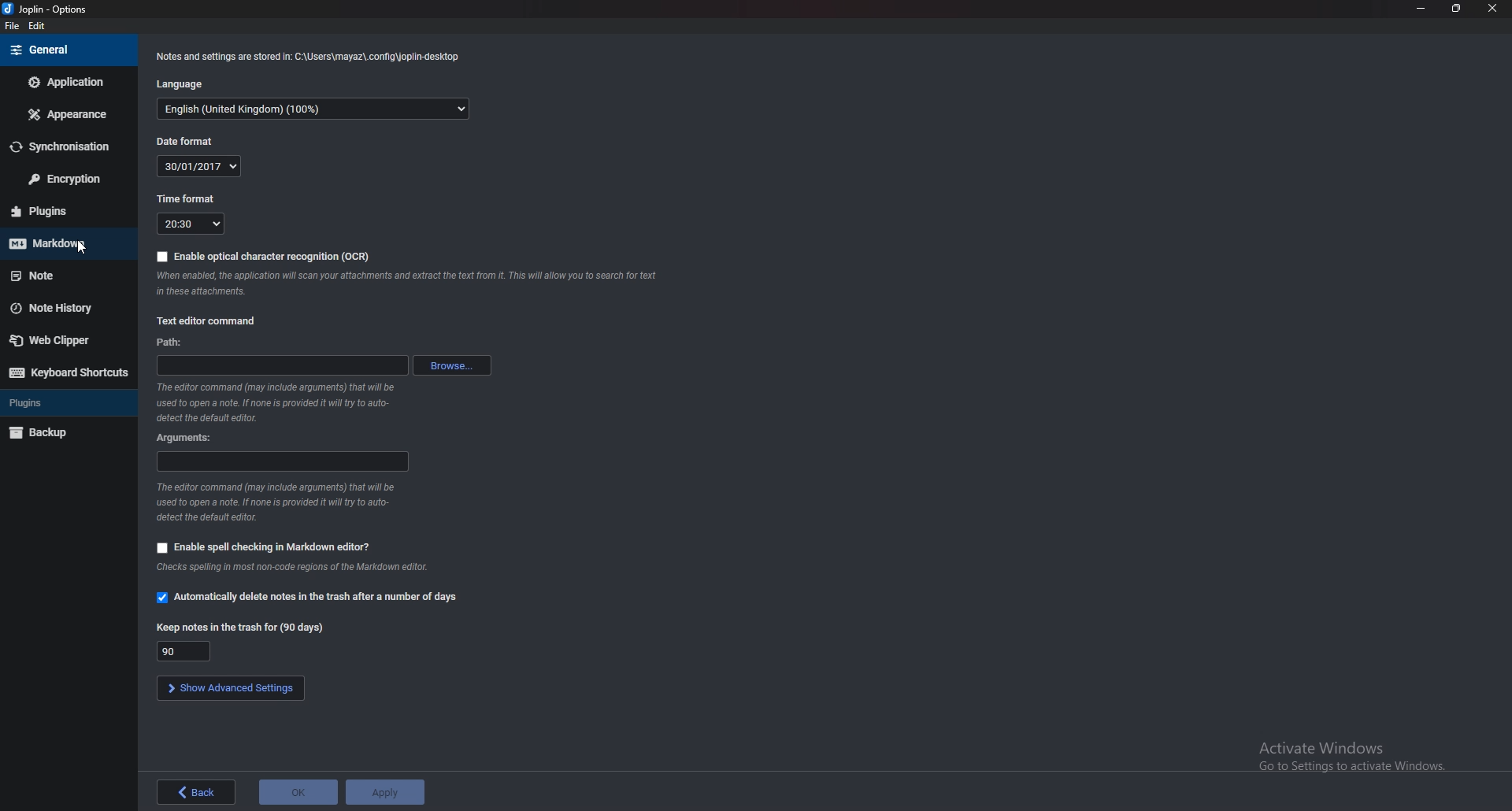 This screenshot has height=811, width=1512. I want to click on Info, so click(278, 403).